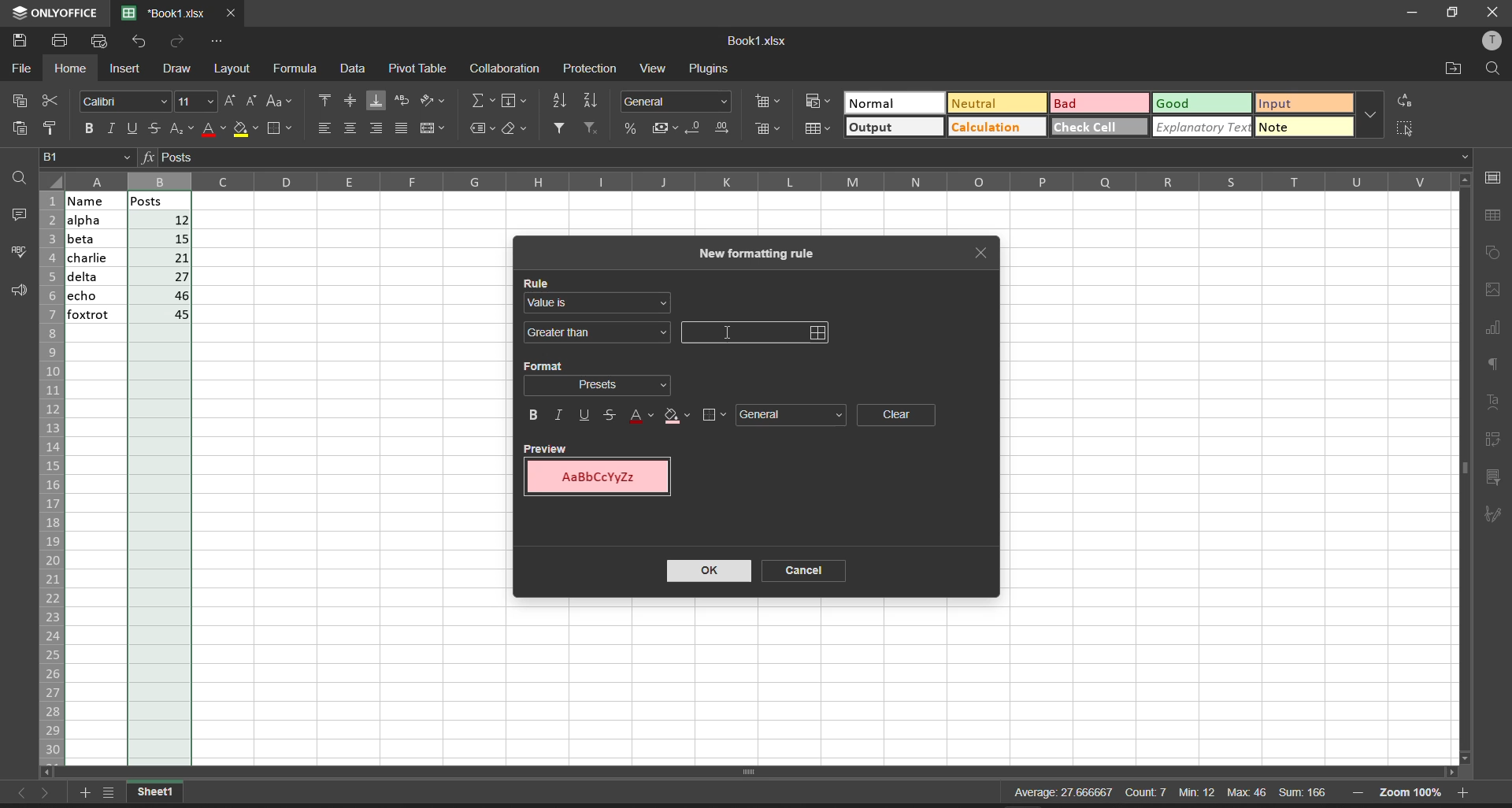 The width and height of the screenshot is (1512, 808). Describe the element at coordinates (1466, 791) in the screenshot. I see `zoom in` at that location.